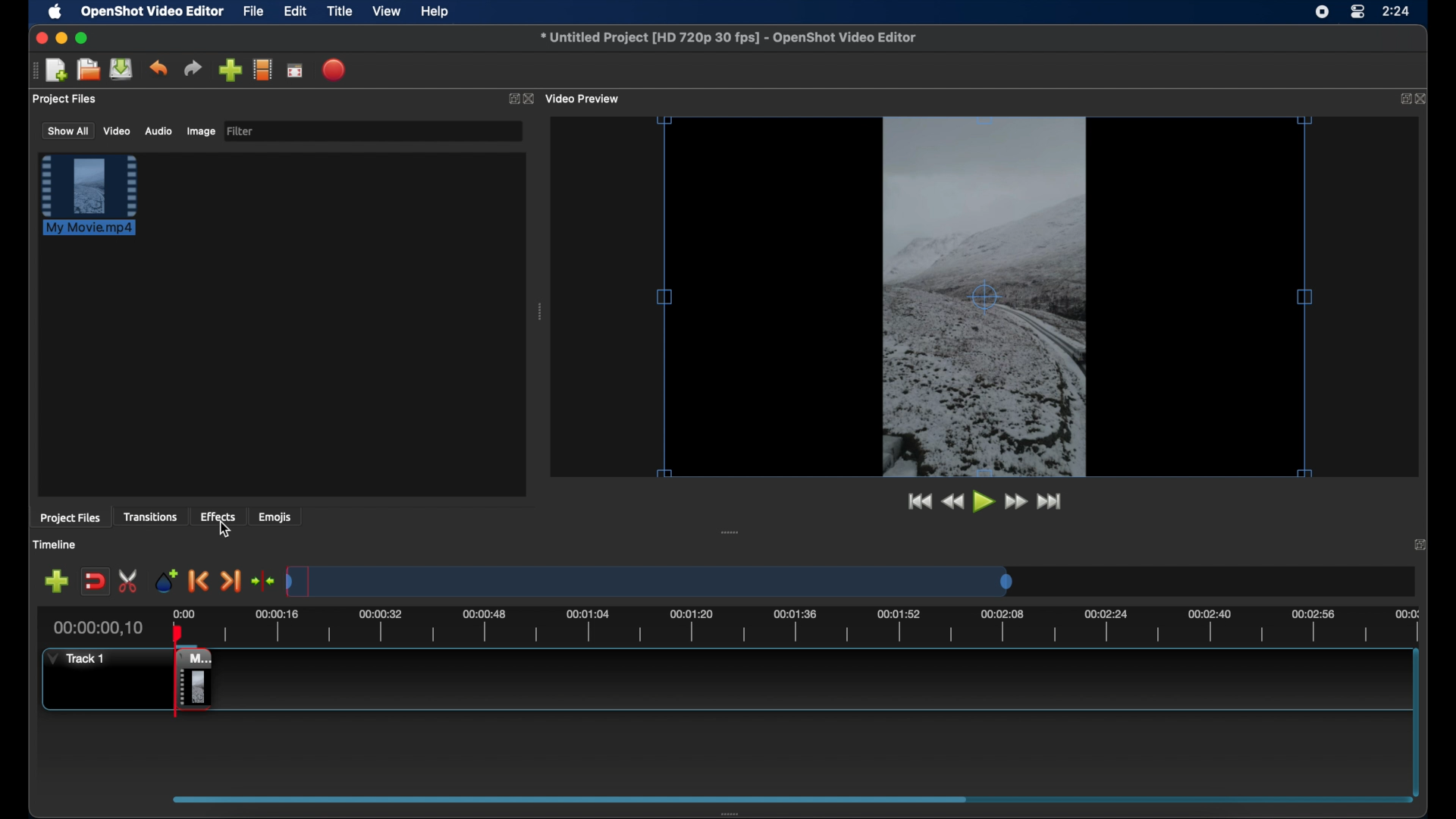 The image size is (1456, 819). I want to click on video, so click(117, 131).